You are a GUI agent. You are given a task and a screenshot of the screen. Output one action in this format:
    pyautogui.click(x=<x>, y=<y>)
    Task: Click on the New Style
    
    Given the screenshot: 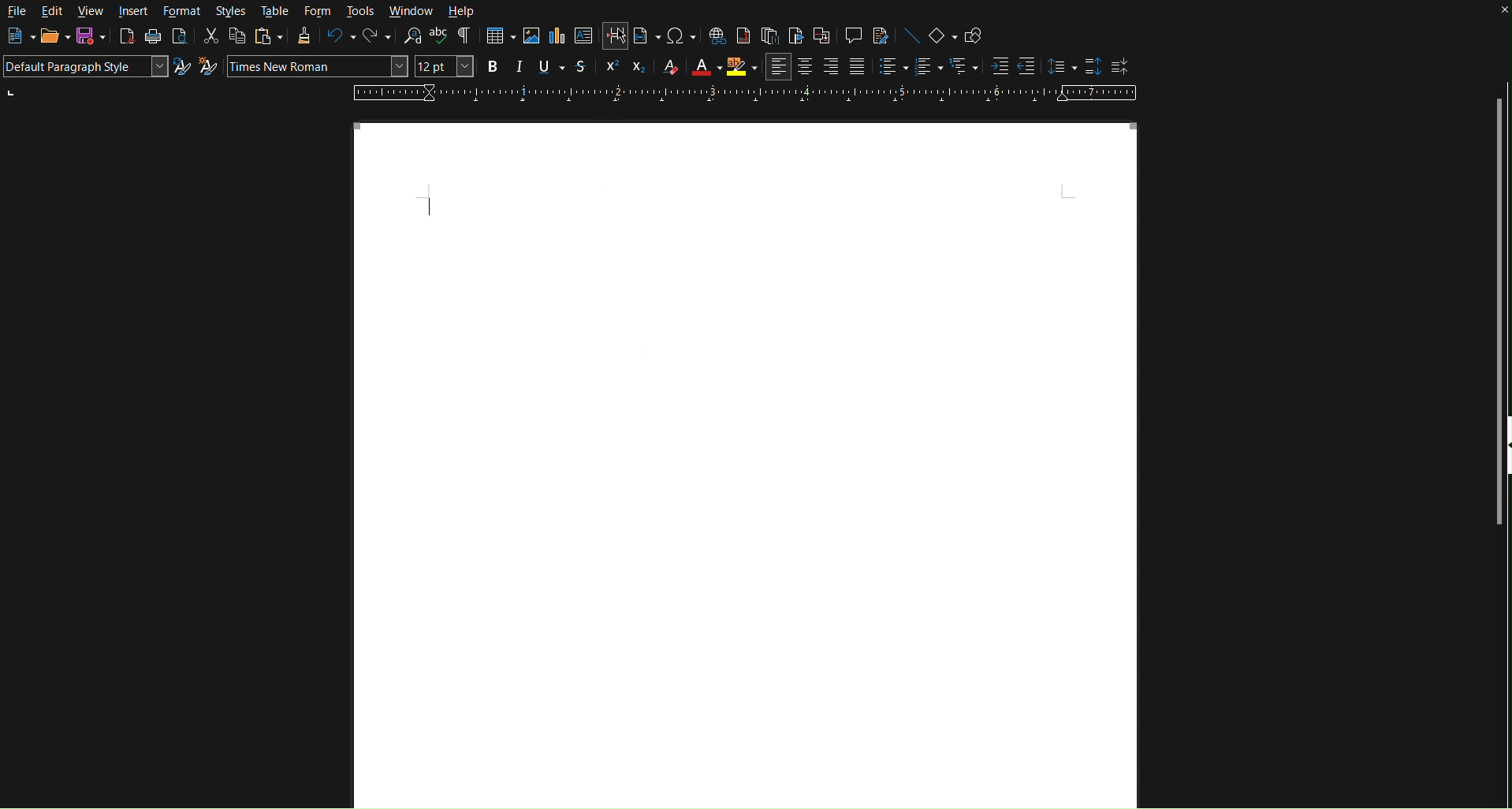 What is the action you would take?
    pyautogui.click(x=208, y=68)
    